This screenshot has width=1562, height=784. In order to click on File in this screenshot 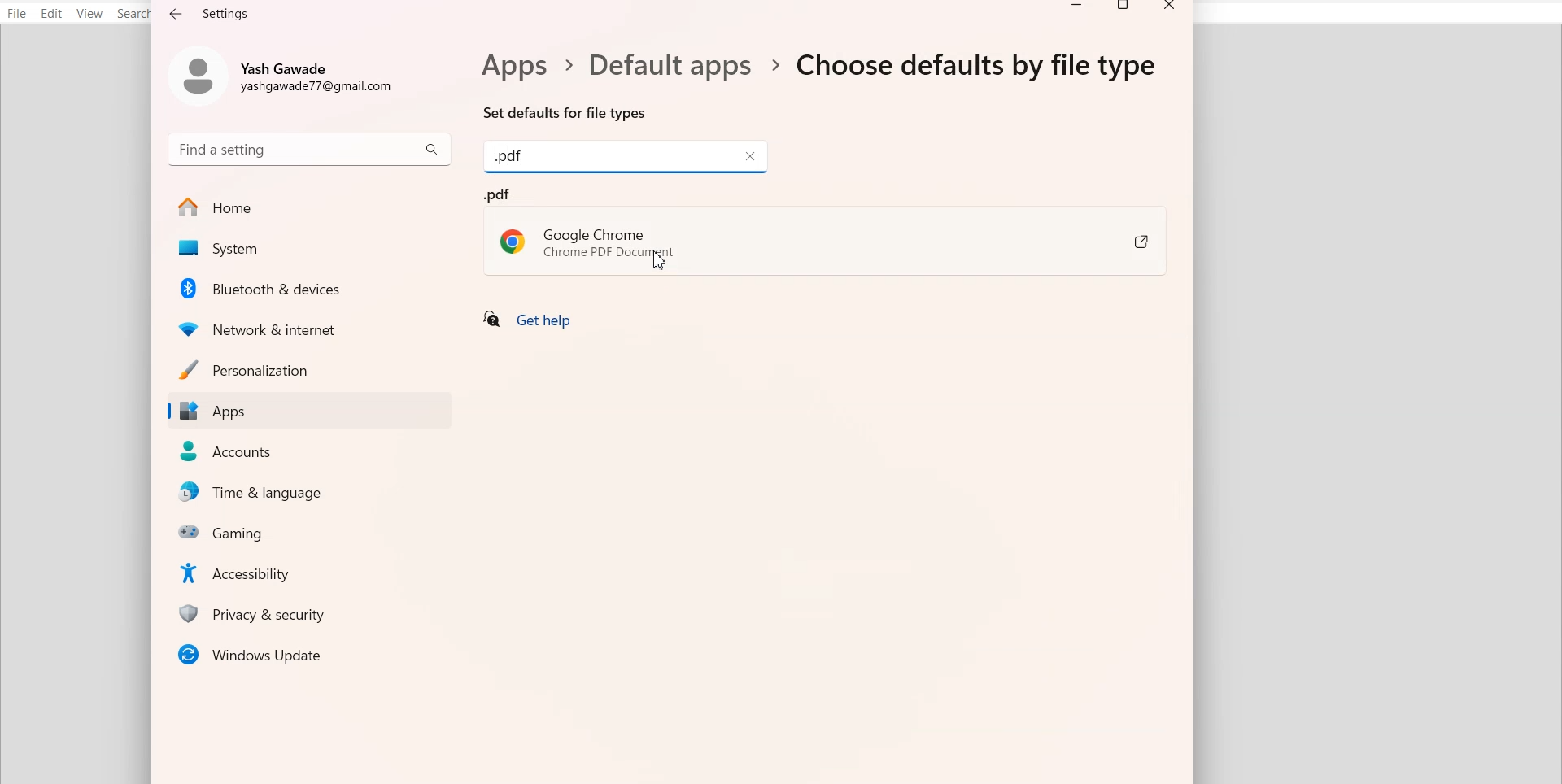, I will do `click(17, 13)`.